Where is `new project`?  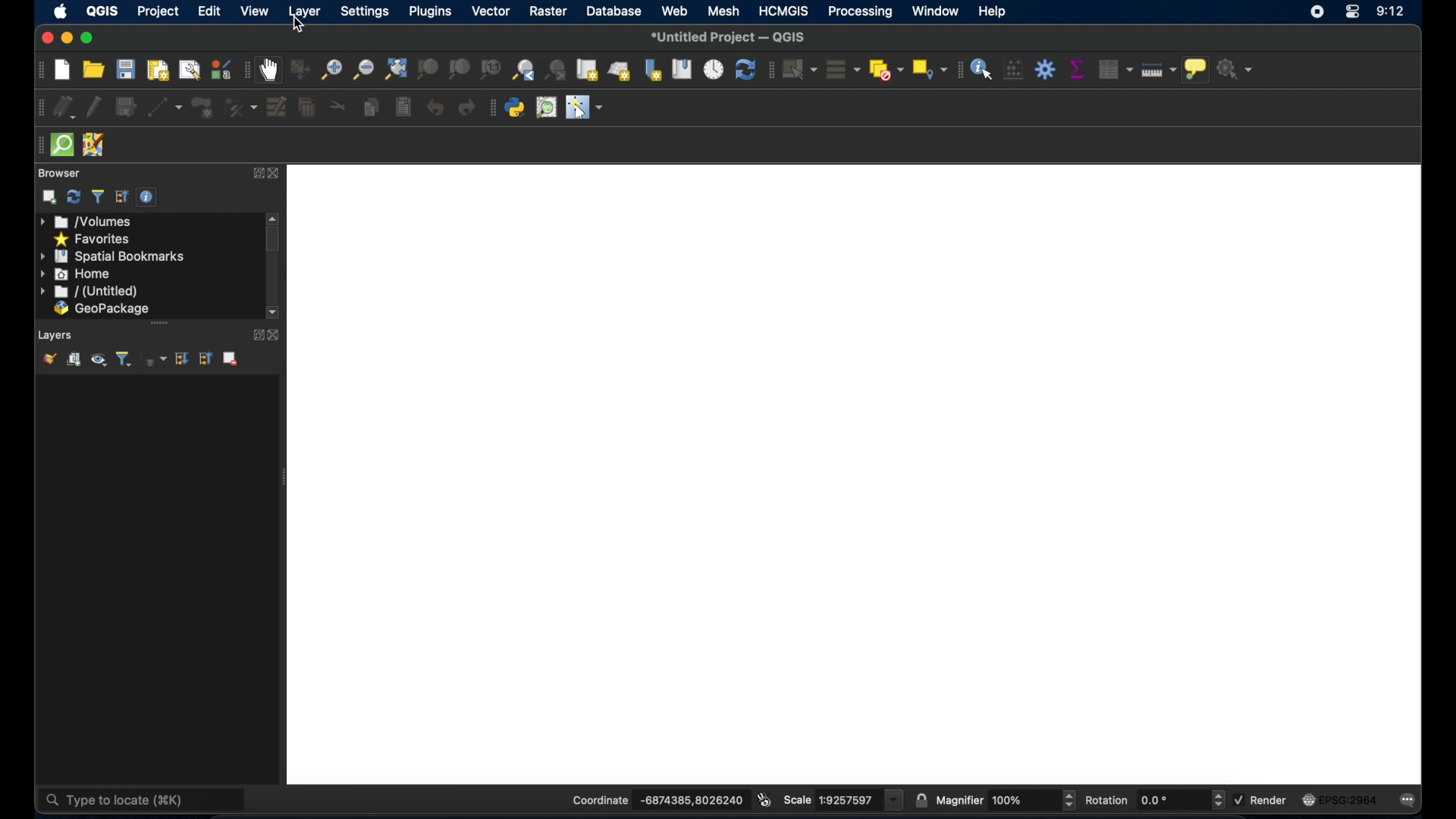 new project is located at coordinates (61, 70).